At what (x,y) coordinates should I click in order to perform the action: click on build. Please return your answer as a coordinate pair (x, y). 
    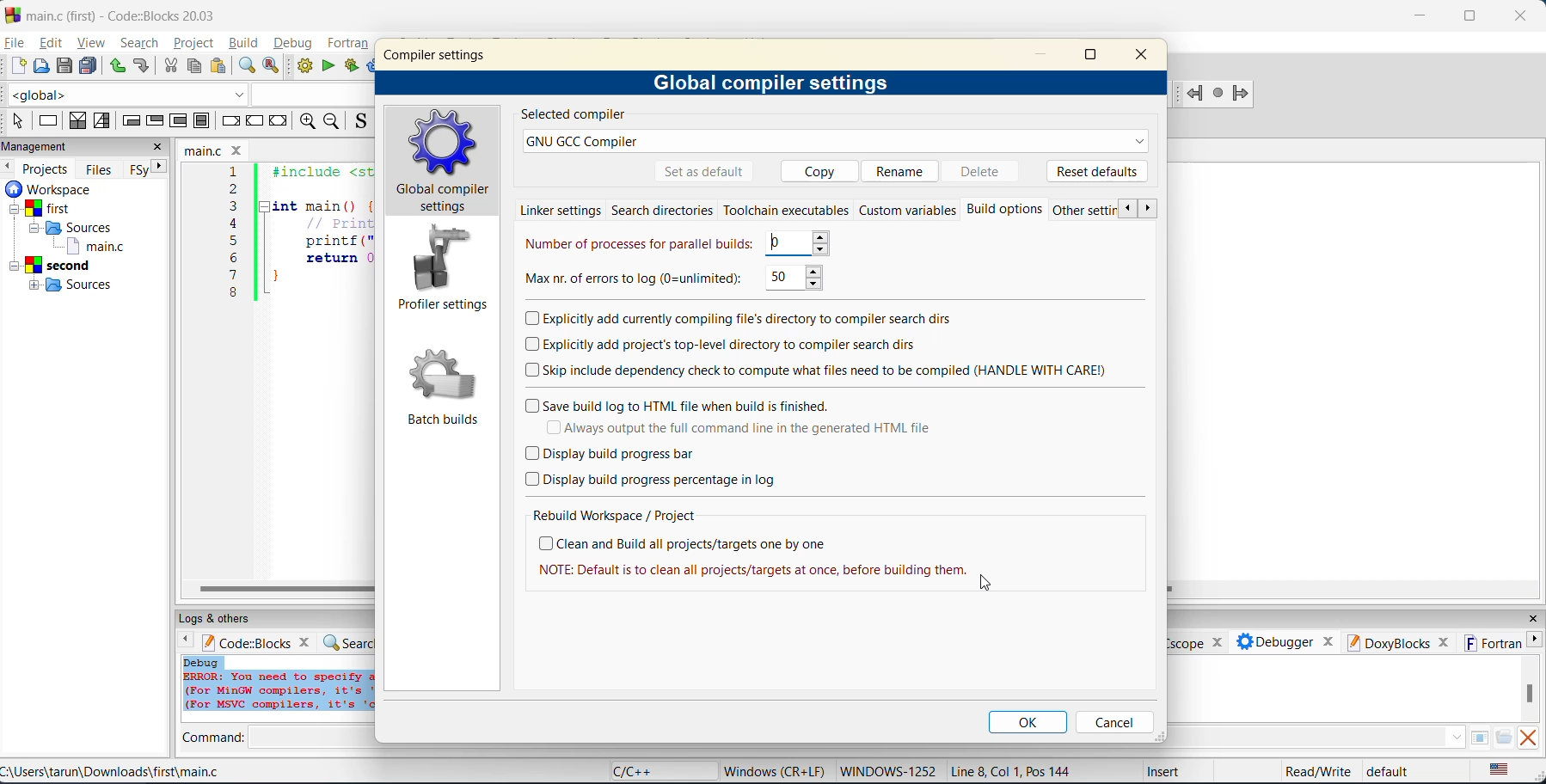
    Looking at the image, I should click on (305, 67).